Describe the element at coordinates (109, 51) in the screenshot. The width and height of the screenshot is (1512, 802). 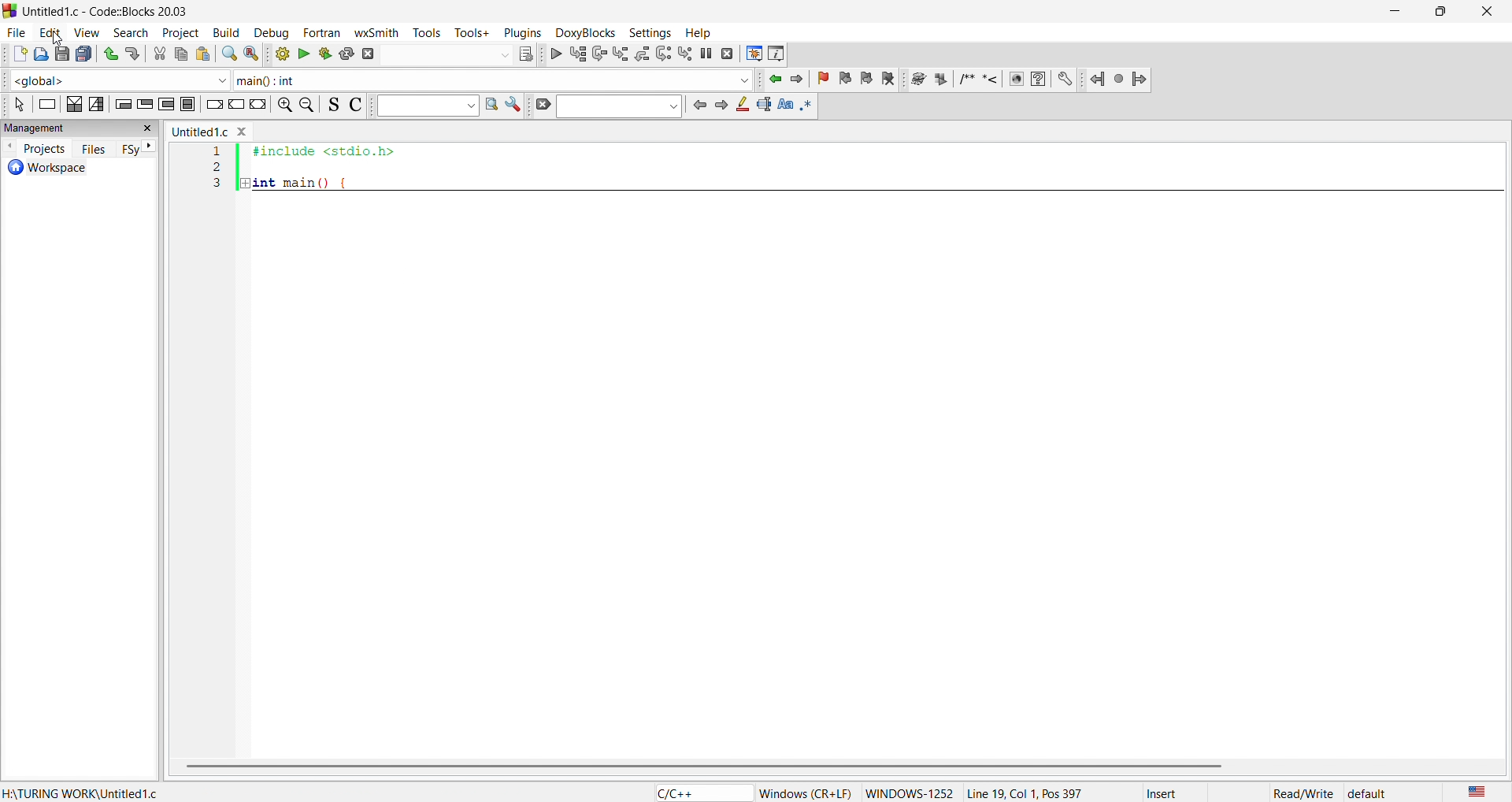
I see `undo` at that location.